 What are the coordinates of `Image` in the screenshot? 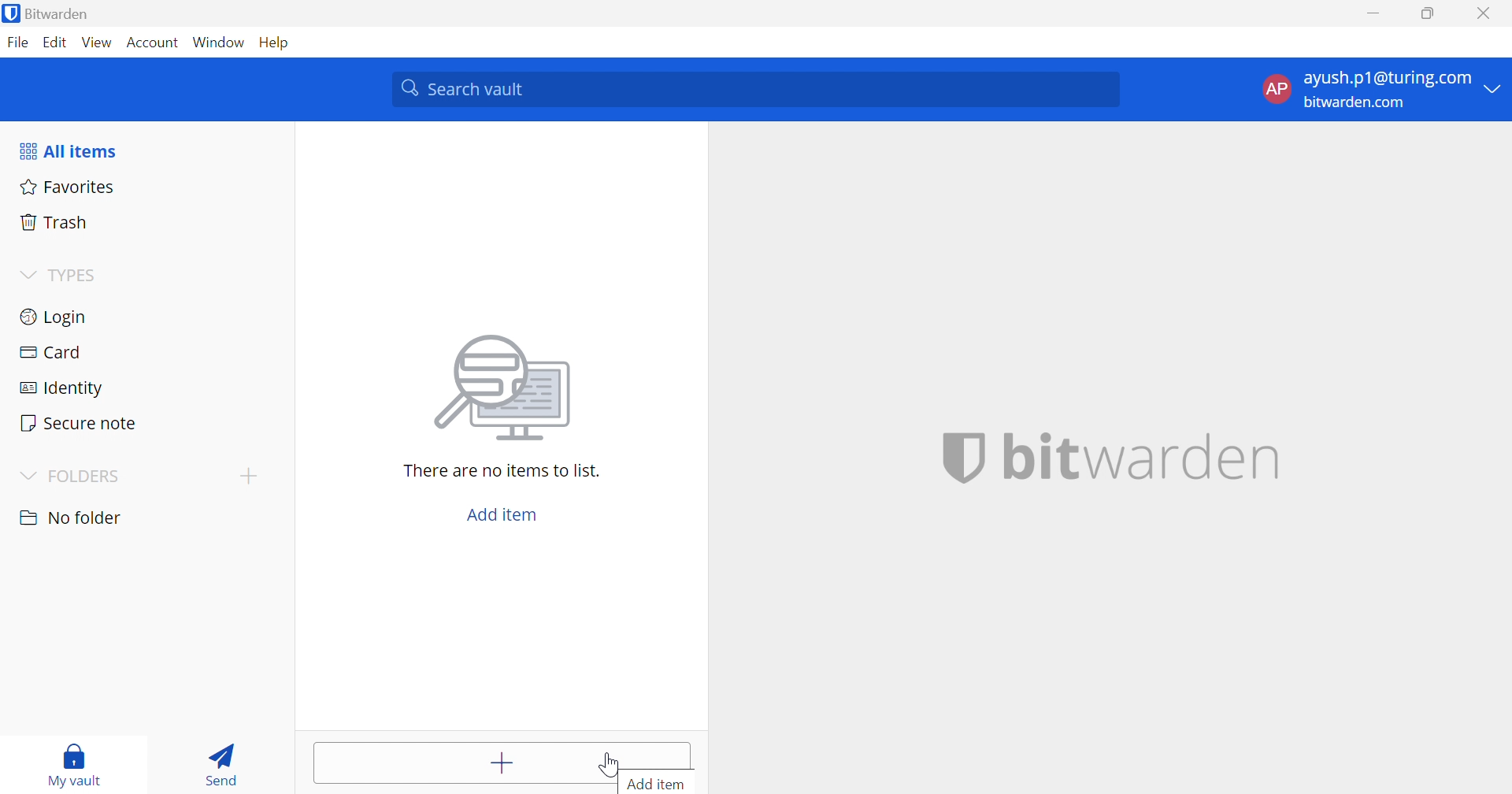 It's located at (506, 387).